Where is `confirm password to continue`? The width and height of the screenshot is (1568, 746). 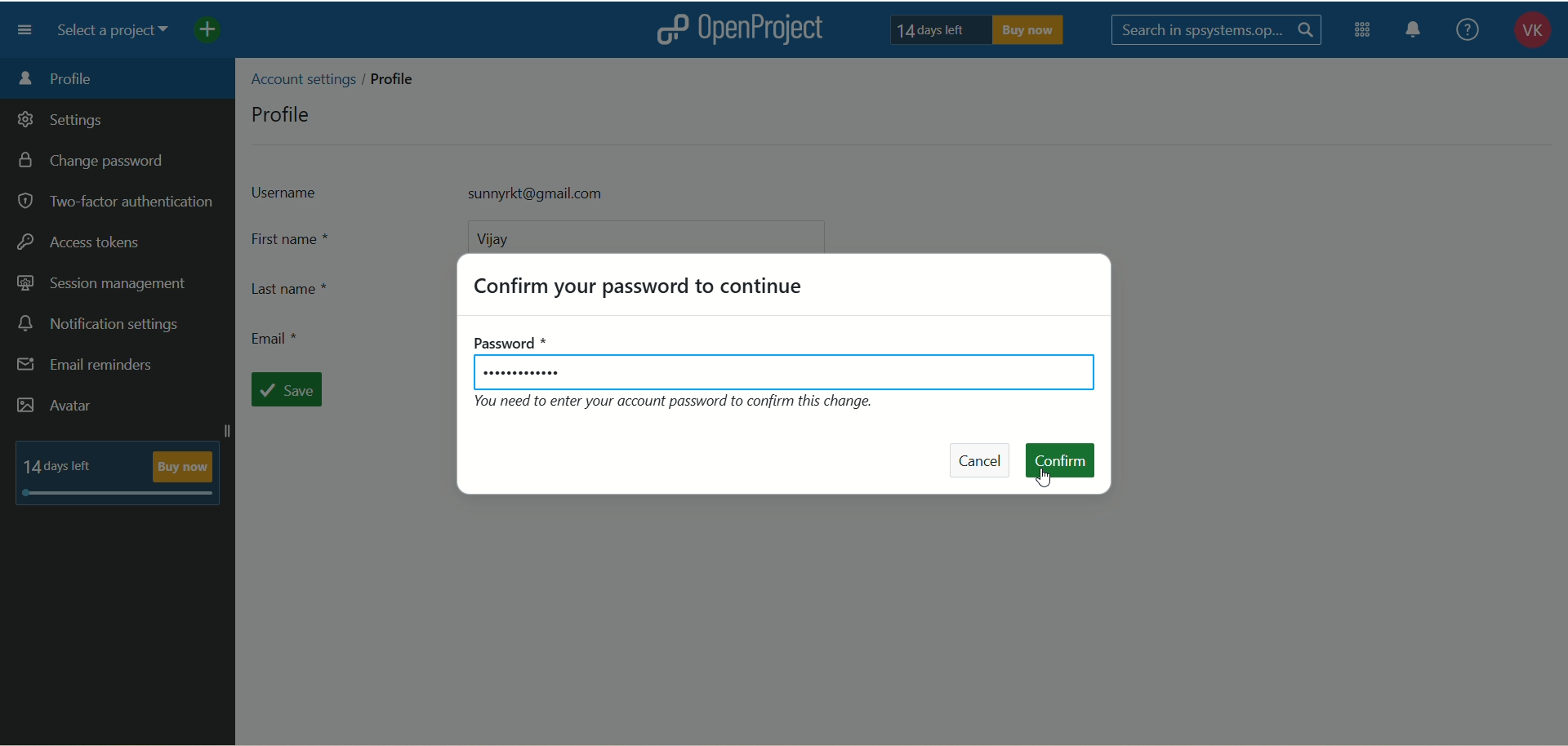 confirm password to continue is located at coordinates (643, 285).